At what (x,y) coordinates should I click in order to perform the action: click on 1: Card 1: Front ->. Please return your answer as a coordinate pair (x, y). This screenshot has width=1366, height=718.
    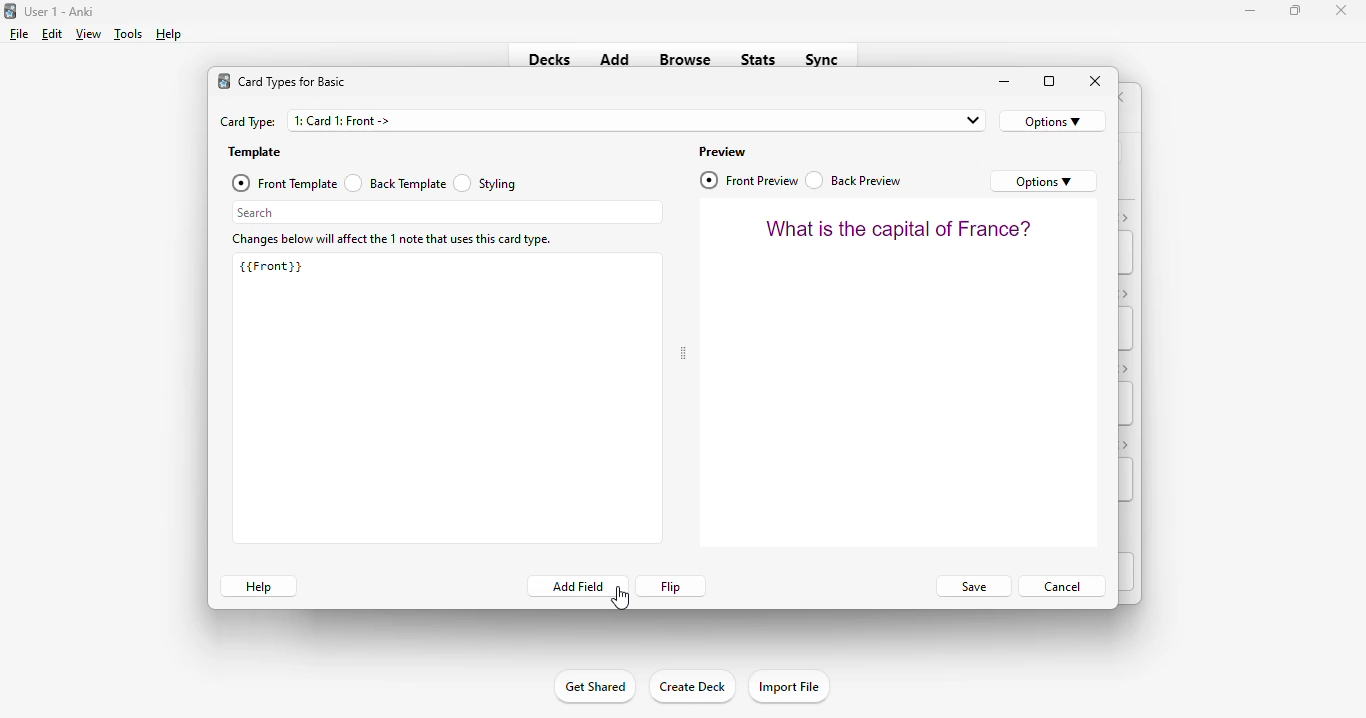
    Looking at the image, I should click on (637, 120).